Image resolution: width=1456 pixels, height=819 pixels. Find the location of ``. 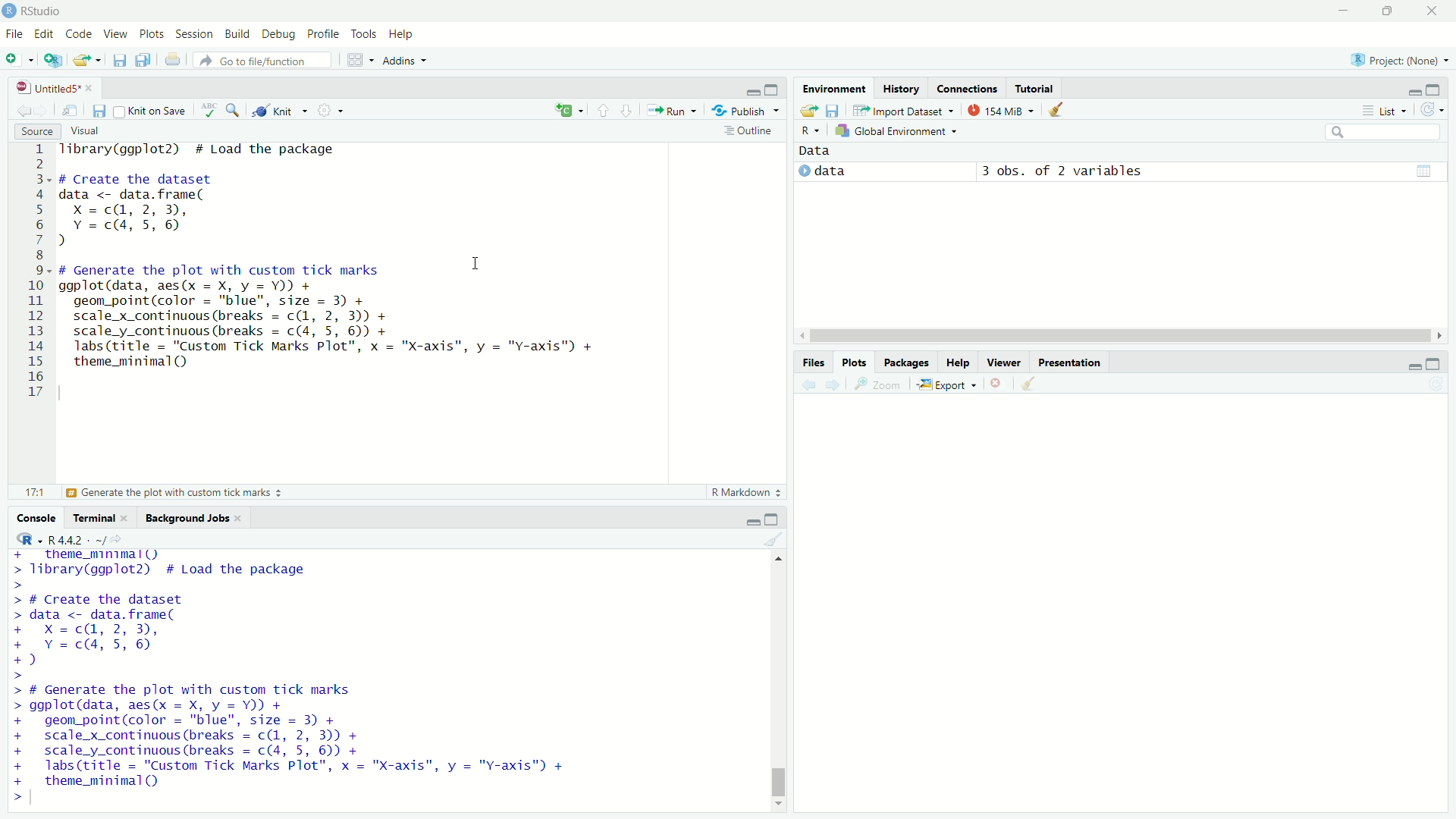

 is located at coordinates (32, 273).